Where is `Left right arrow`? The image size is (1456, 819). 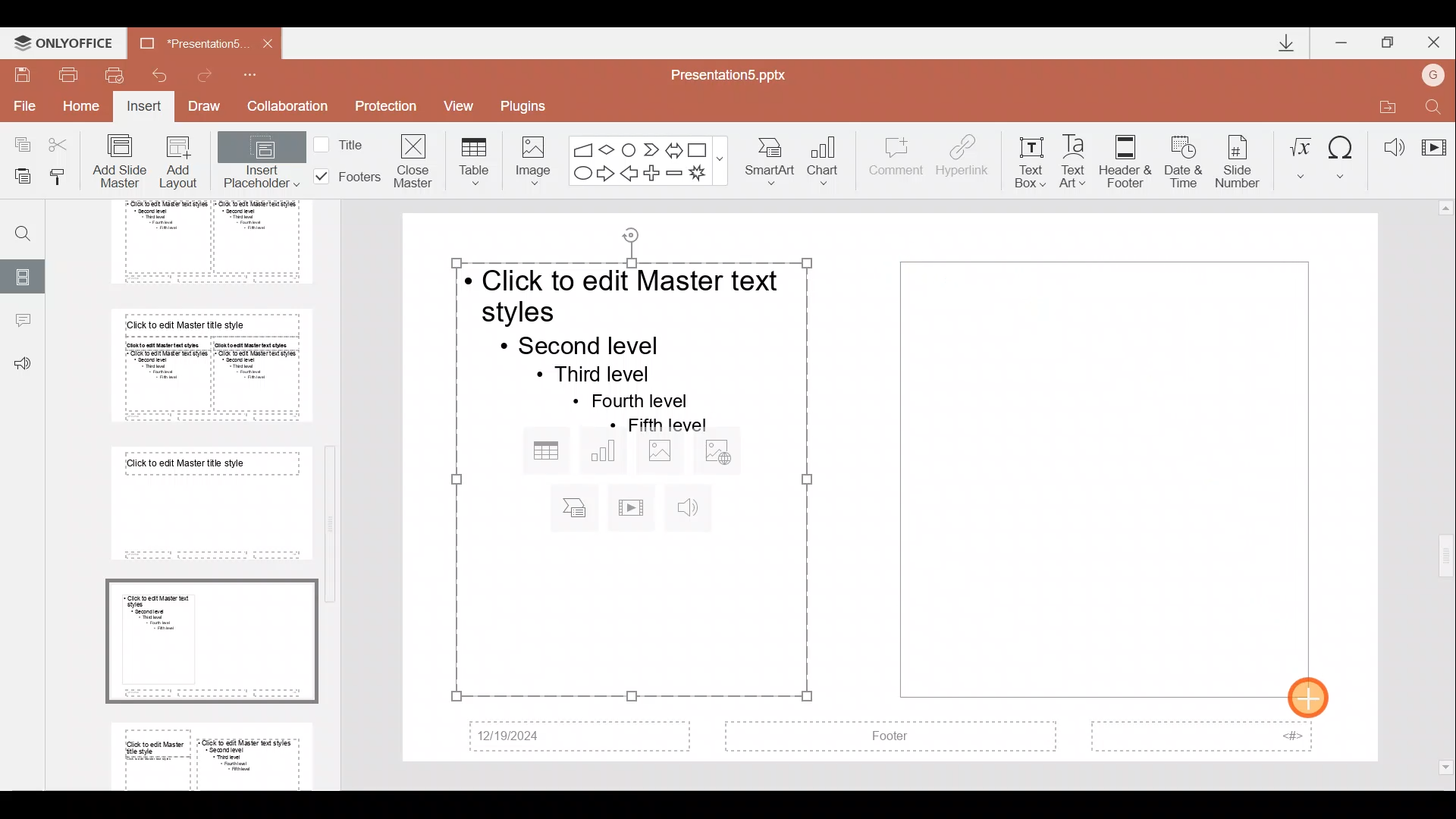
Left right arrow is located at coordinates (673, 147).